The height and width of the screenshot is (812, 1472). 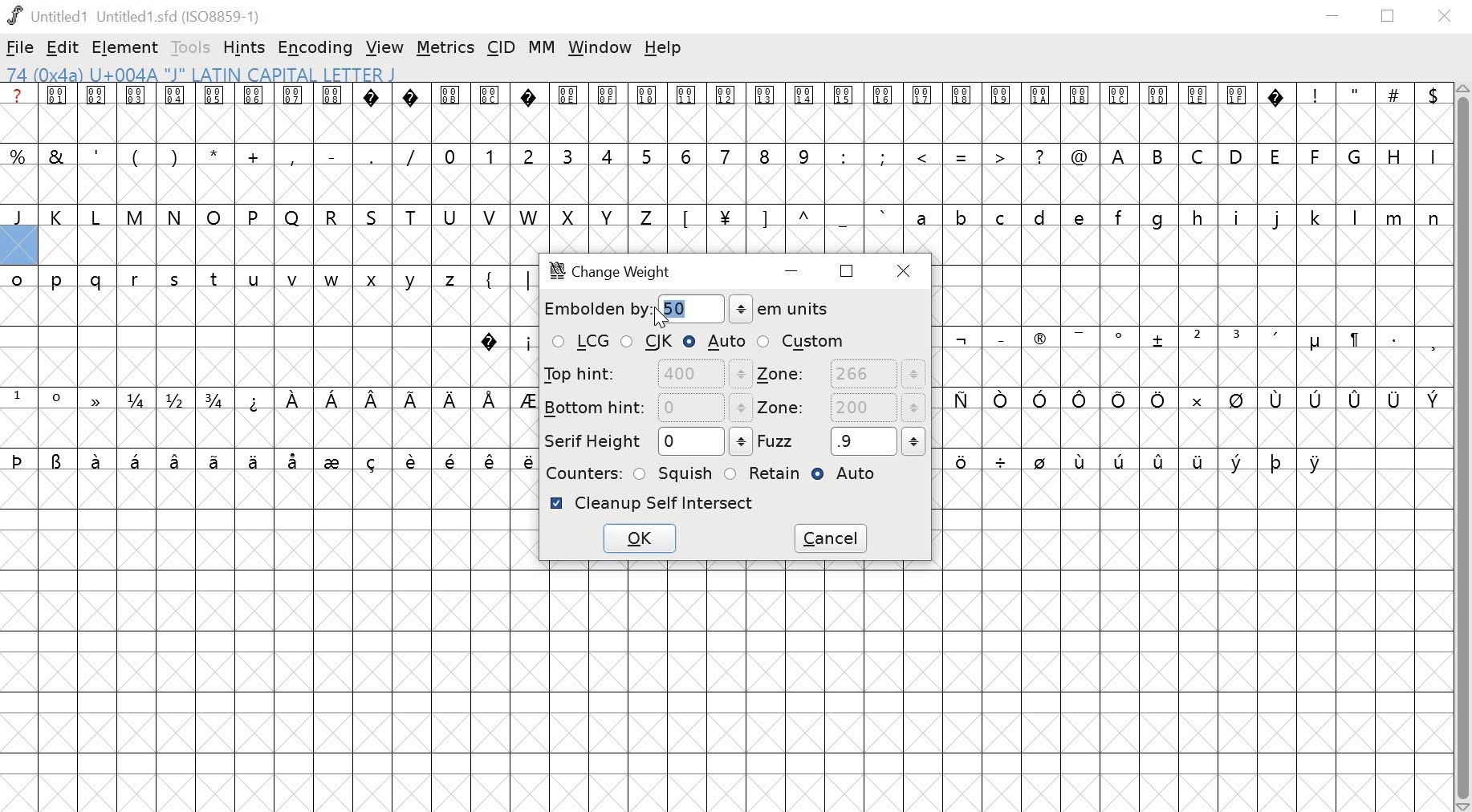 What do you see at coordinates (600, 48) in the screenshot?
I see `window` at bounding box center [600, 48].